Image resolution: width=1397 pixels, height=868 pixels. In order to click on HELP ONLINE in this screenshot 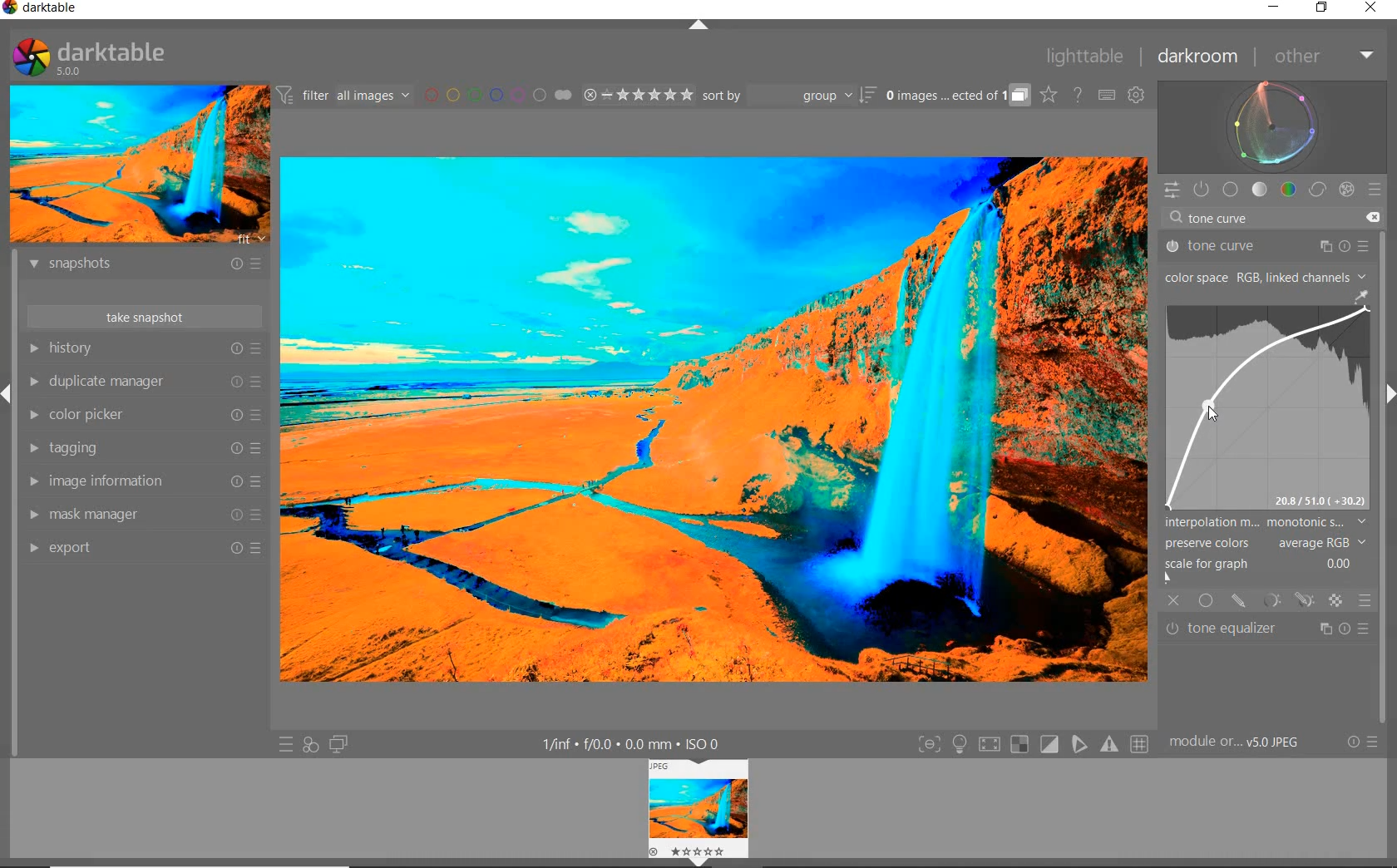, I will do `click(1078, 95)`.